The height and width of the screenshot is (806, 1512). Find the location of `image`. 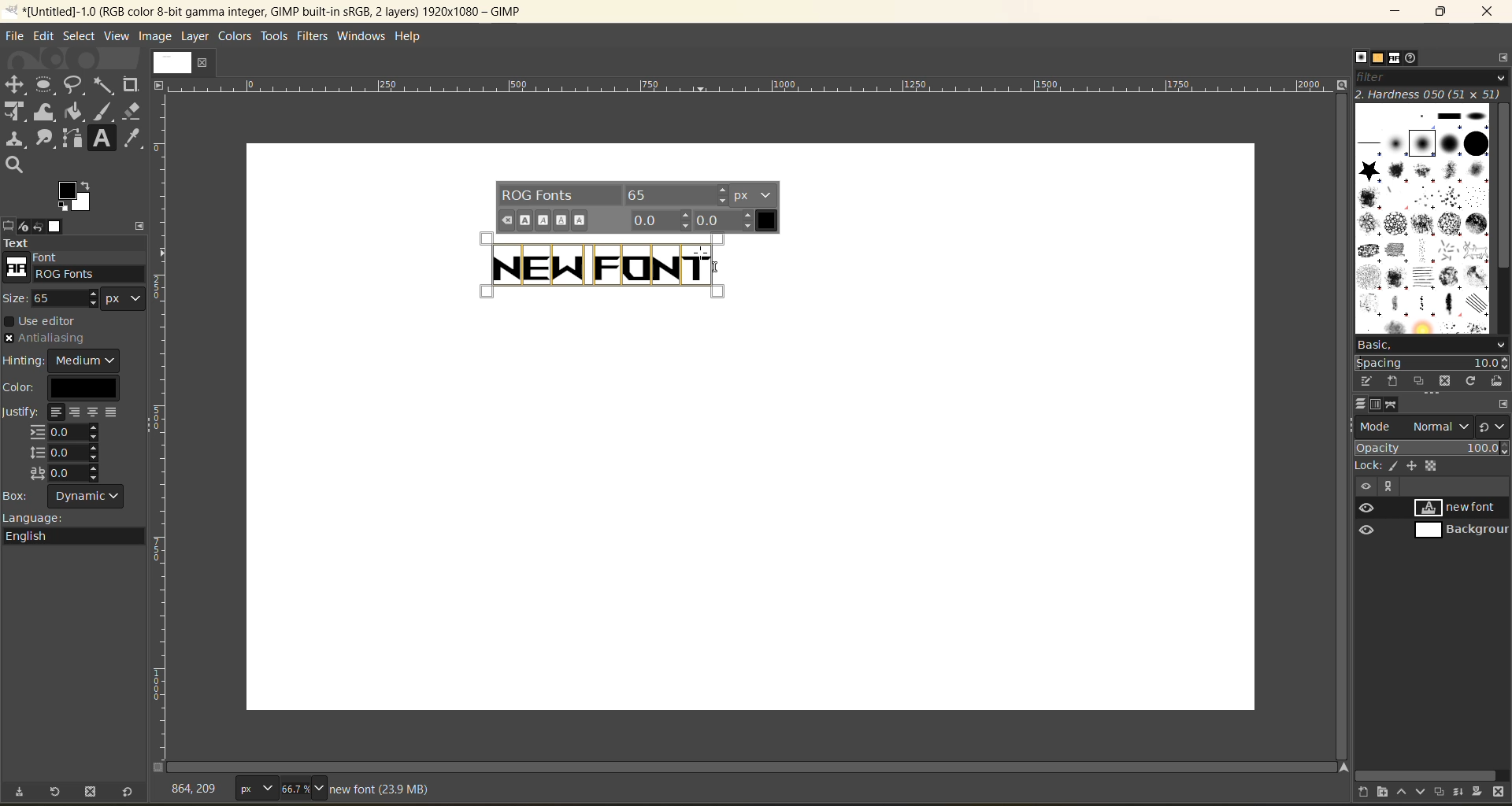

image is located at coordinates (157, 38).